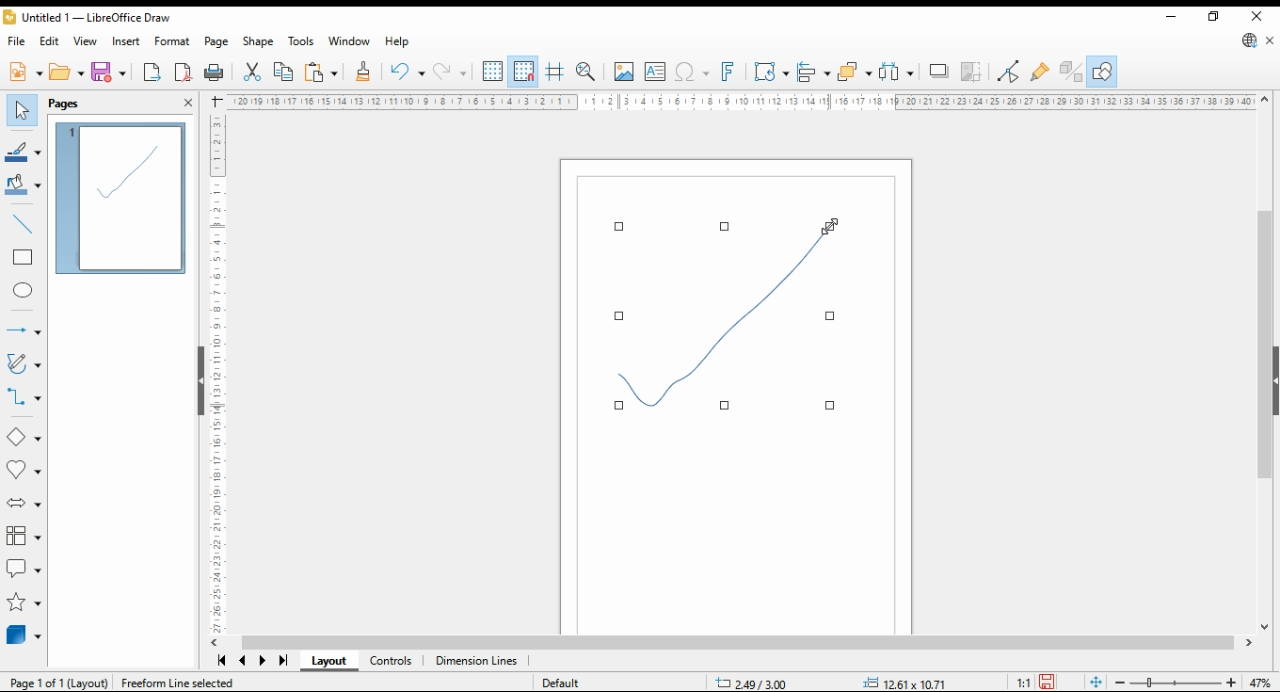  Describe the element at coordinates (392, 661) in the screenshot. I see `controls` at that location.